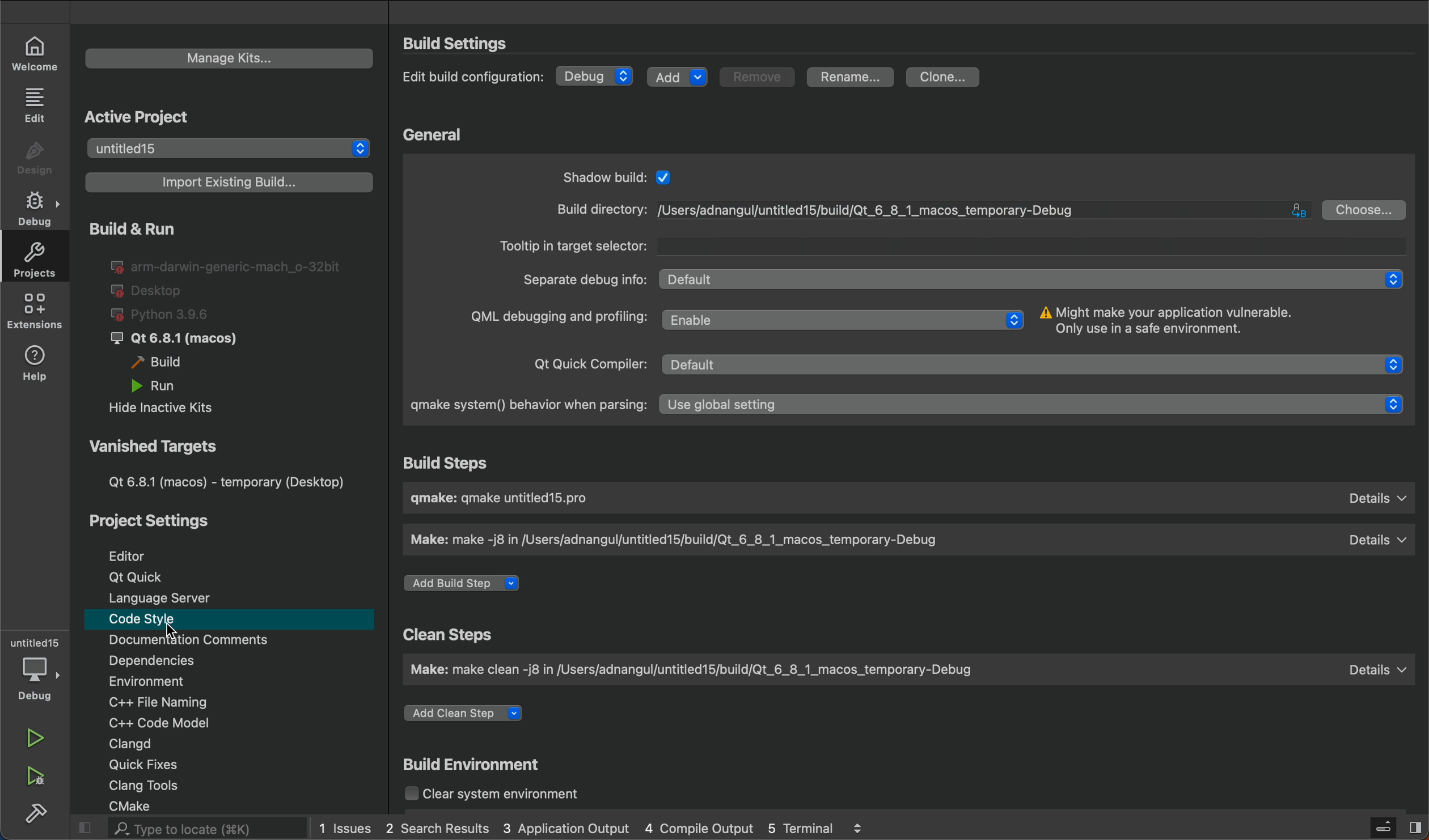  What do you see at coordinates (918, 289) in the screenshot?
I see `general setting` at bounding box center [918, 289].